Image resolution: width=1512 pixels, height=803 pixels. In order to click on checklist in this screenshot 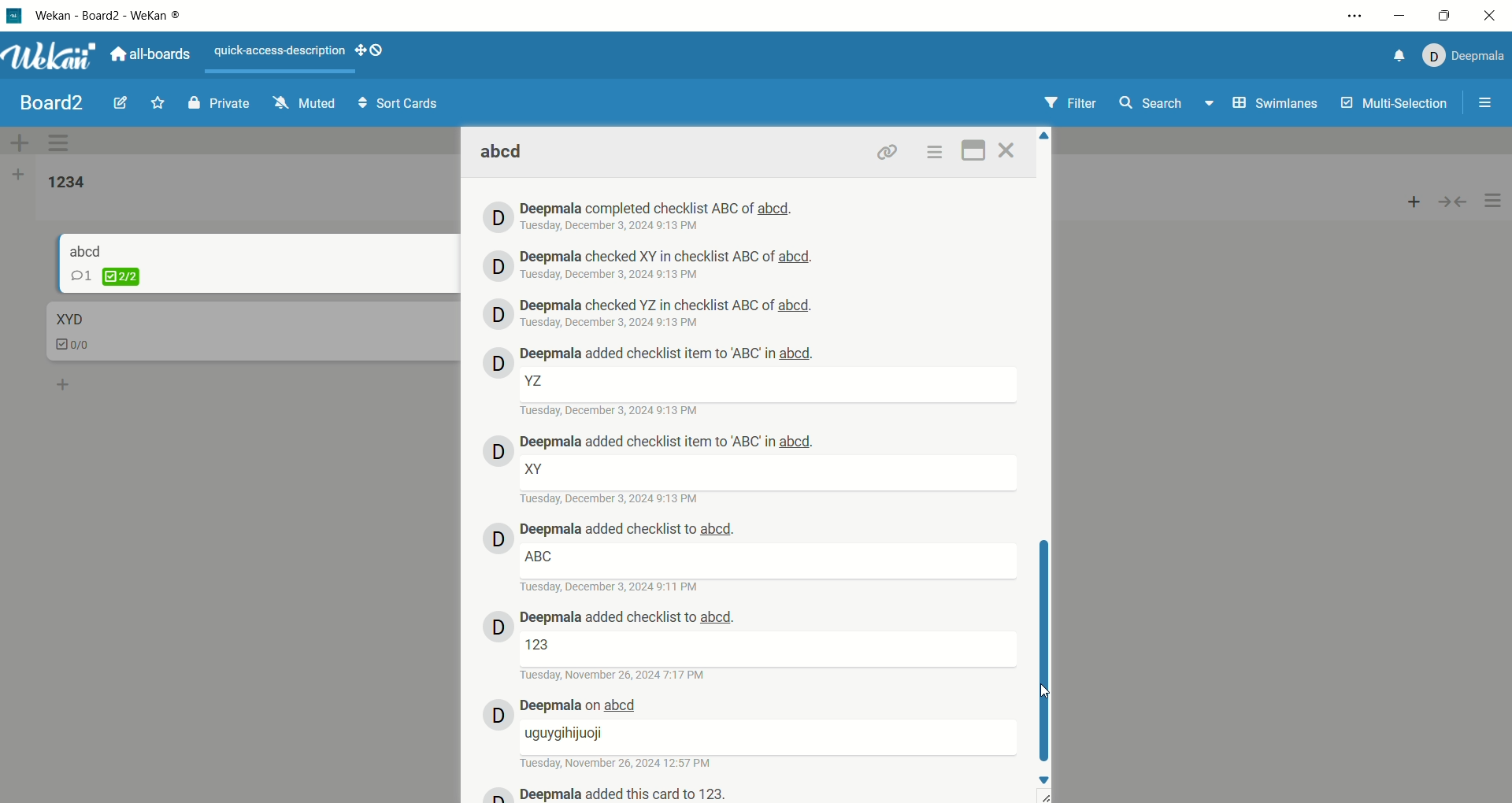, I will do `click(75, 346)`.